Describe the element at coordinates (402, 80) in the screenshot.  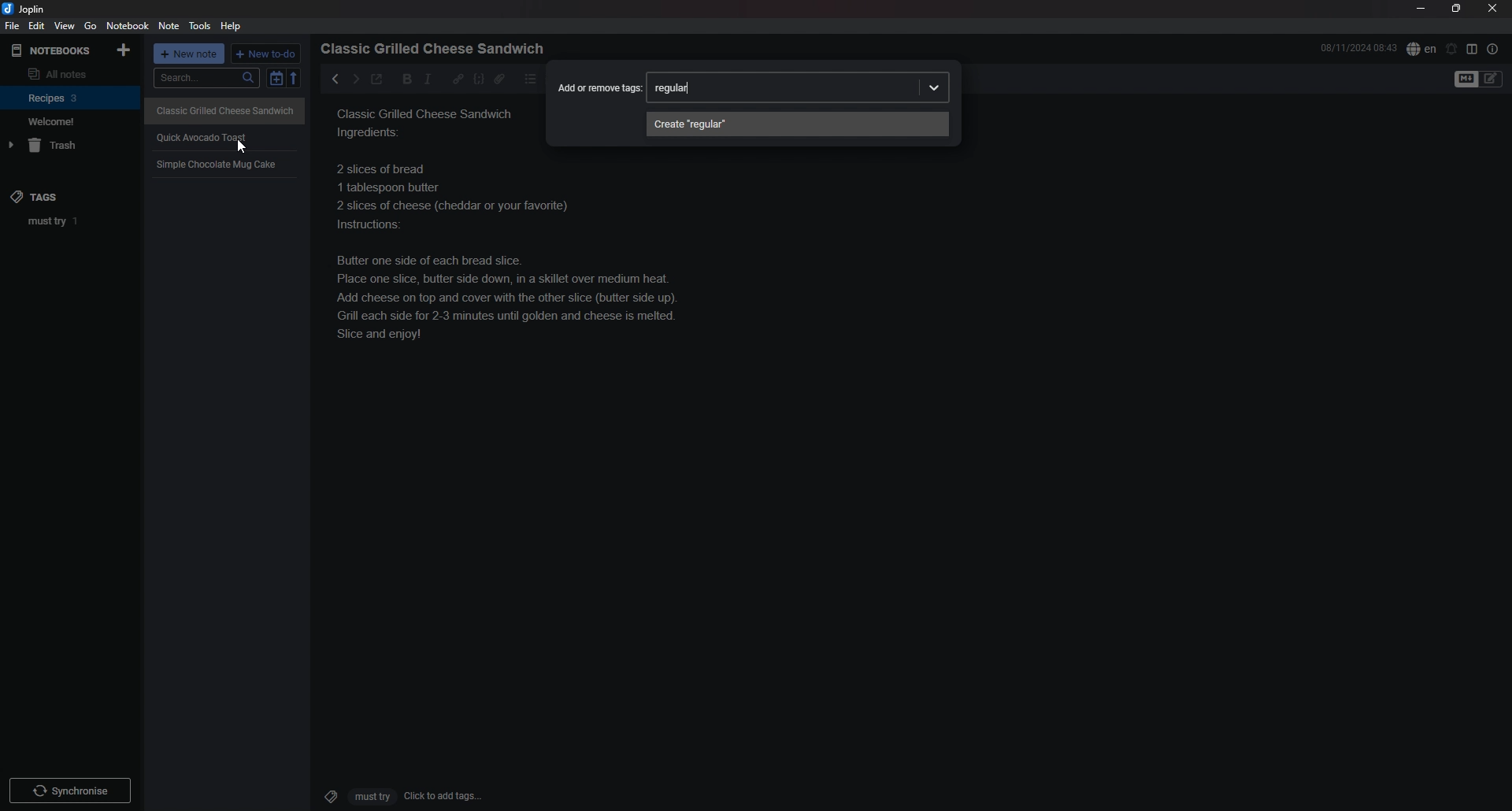
I see `bold` at that location.